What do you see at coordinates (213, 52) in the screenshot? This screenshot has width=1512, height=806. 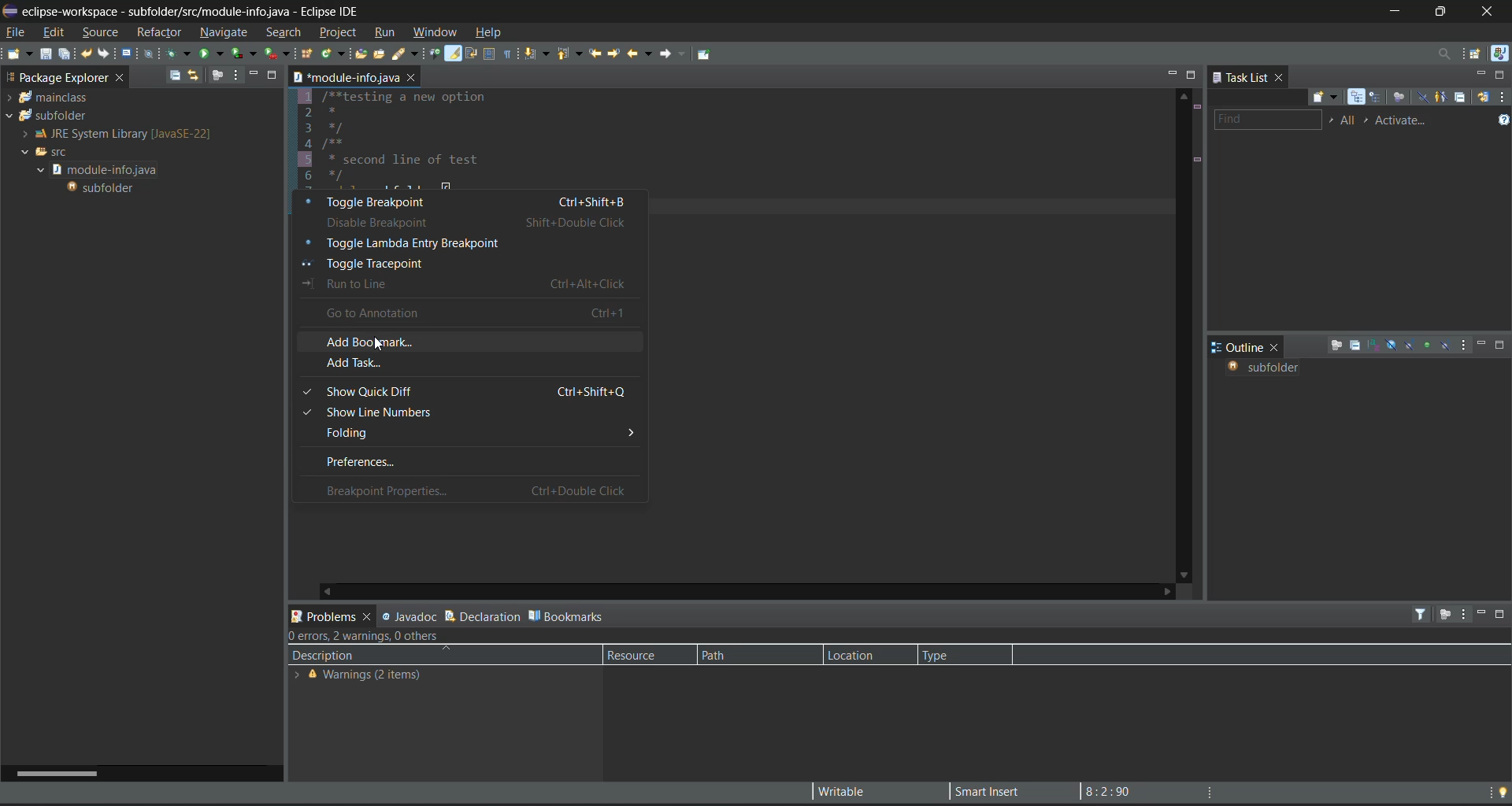 I see `run` at bounding box center [213, 52].